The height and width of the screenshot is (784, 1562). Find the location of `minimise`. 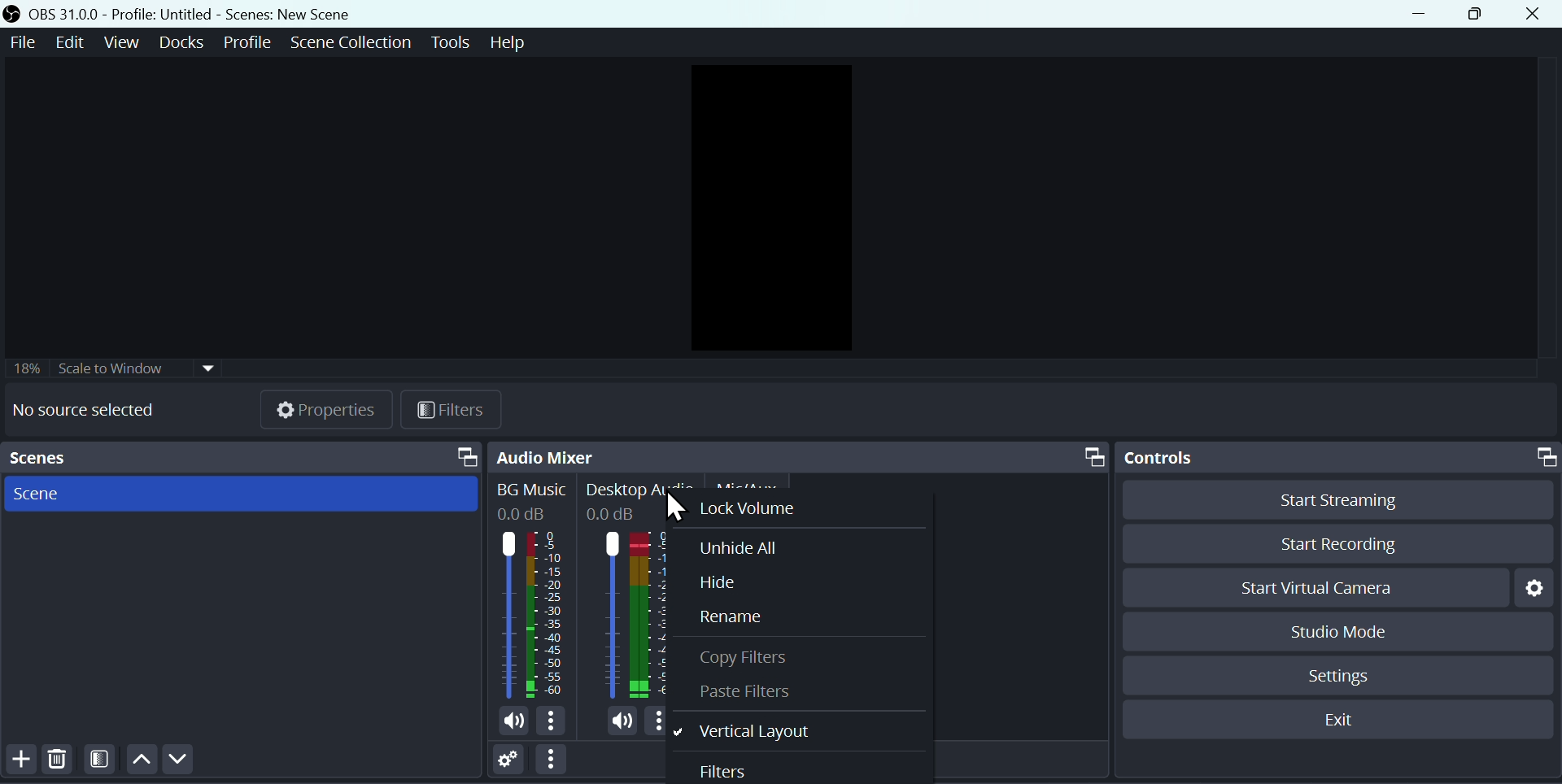

minimise is located at coordinates (1411, 17).